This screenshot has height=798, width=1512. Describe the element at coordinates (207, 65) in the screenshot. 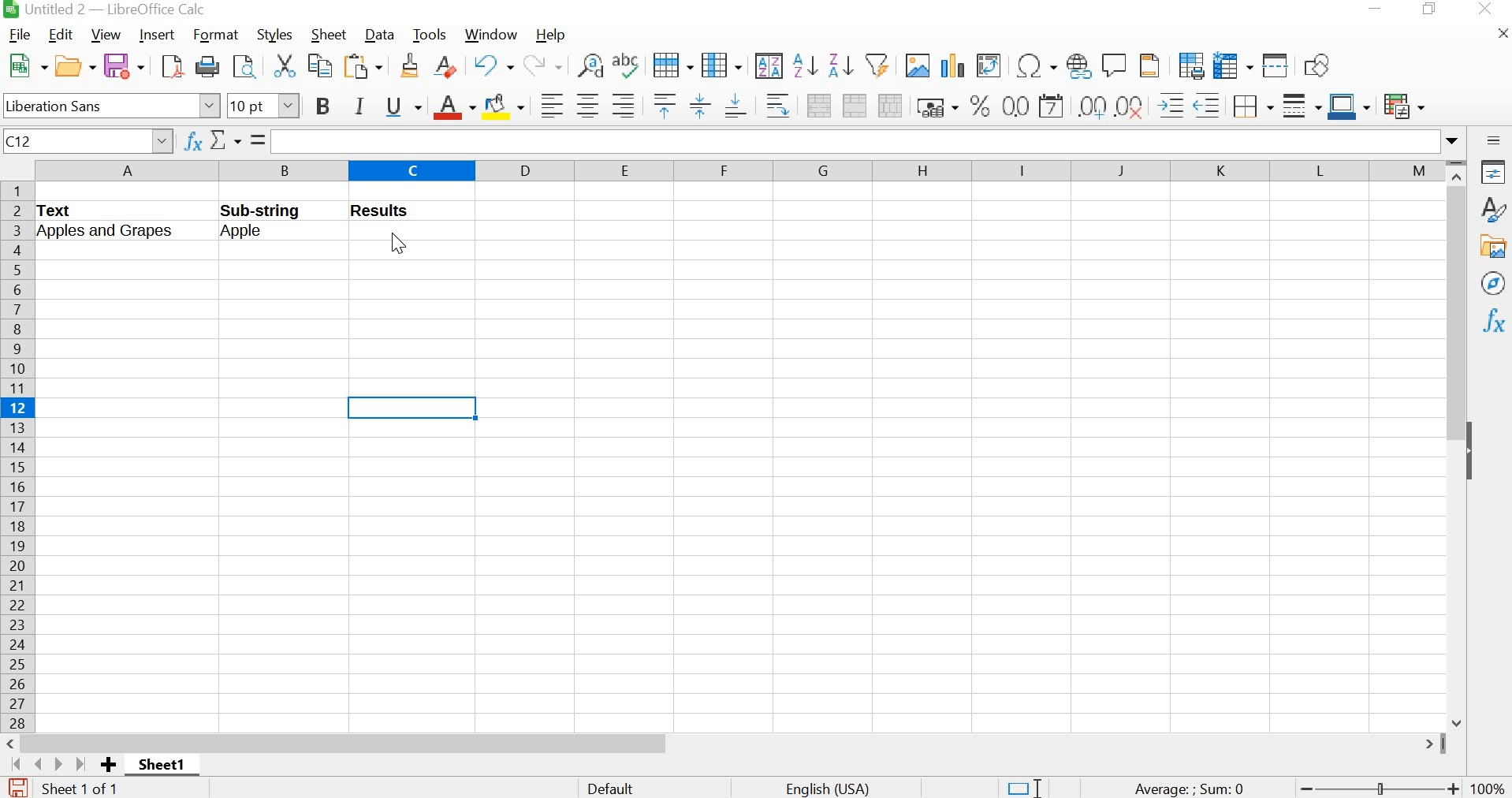

I see `print` at that location.